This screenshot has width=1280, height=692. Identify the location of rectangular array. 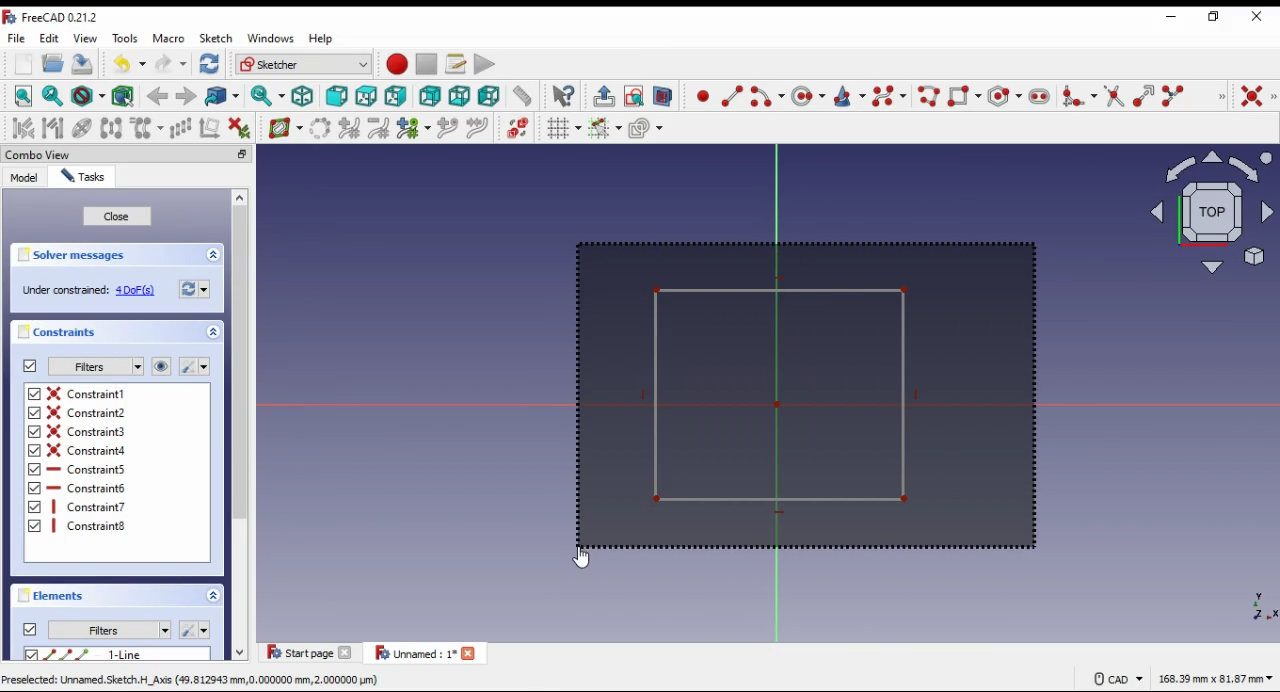
(180, 129).